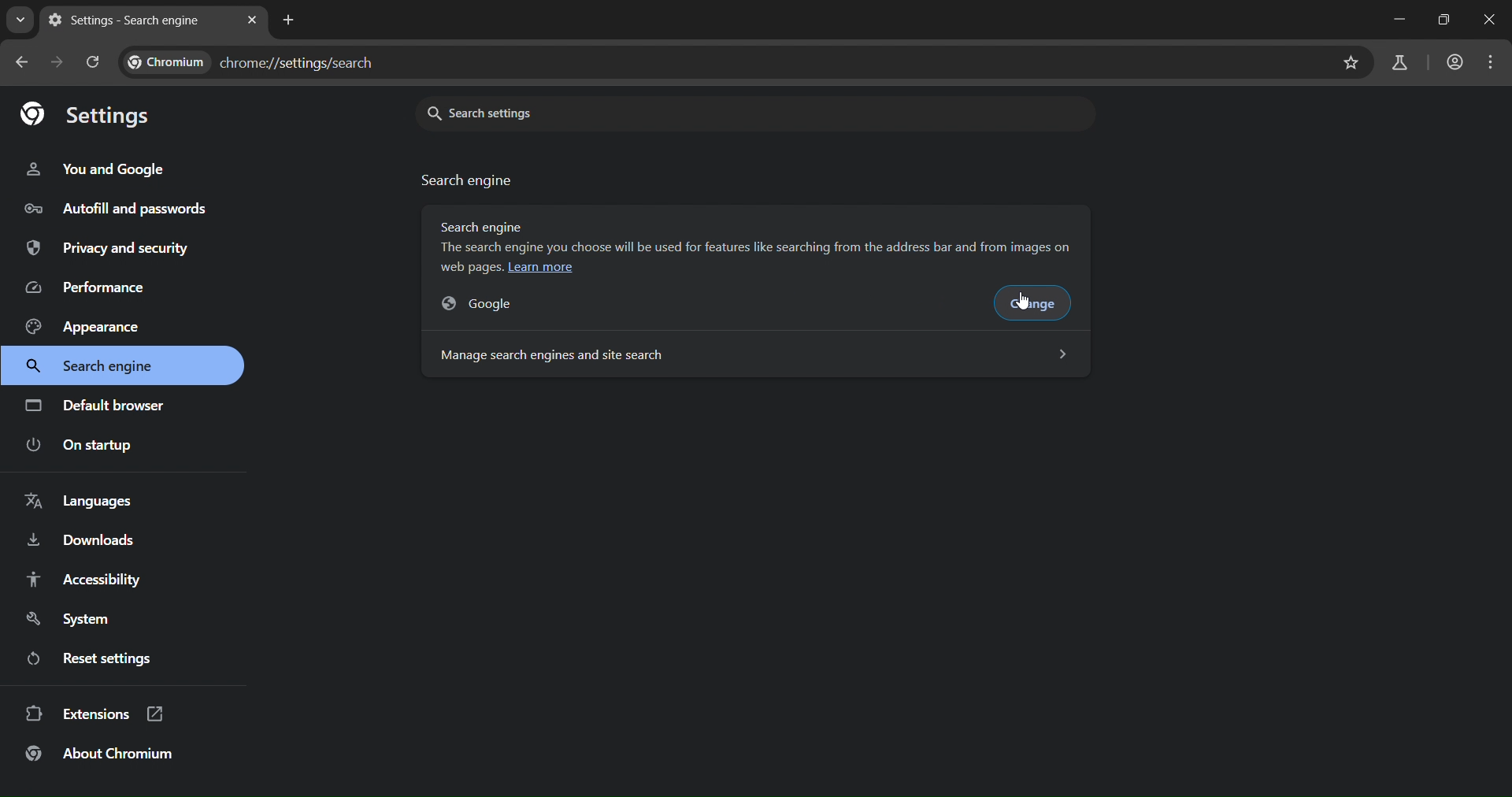 This screenshot has width=1512, height=797. Describe the element at coordinates (288, 20) in the screenshot. I see `new tab` at that location.